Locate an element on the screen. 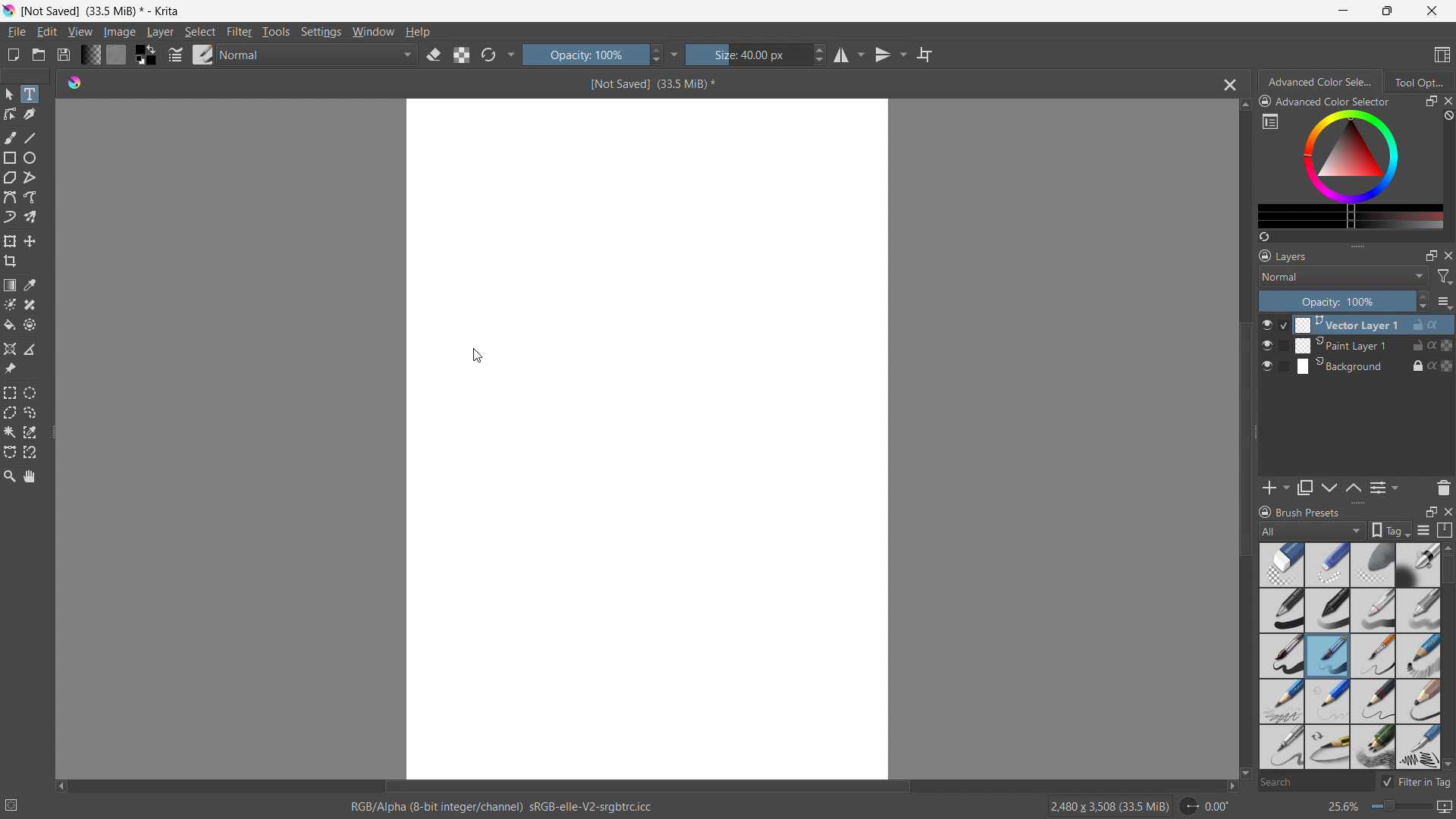 Image resolution: width=1456 pixels, height=819 pixels. filter is located at coordinates (1445, 277).